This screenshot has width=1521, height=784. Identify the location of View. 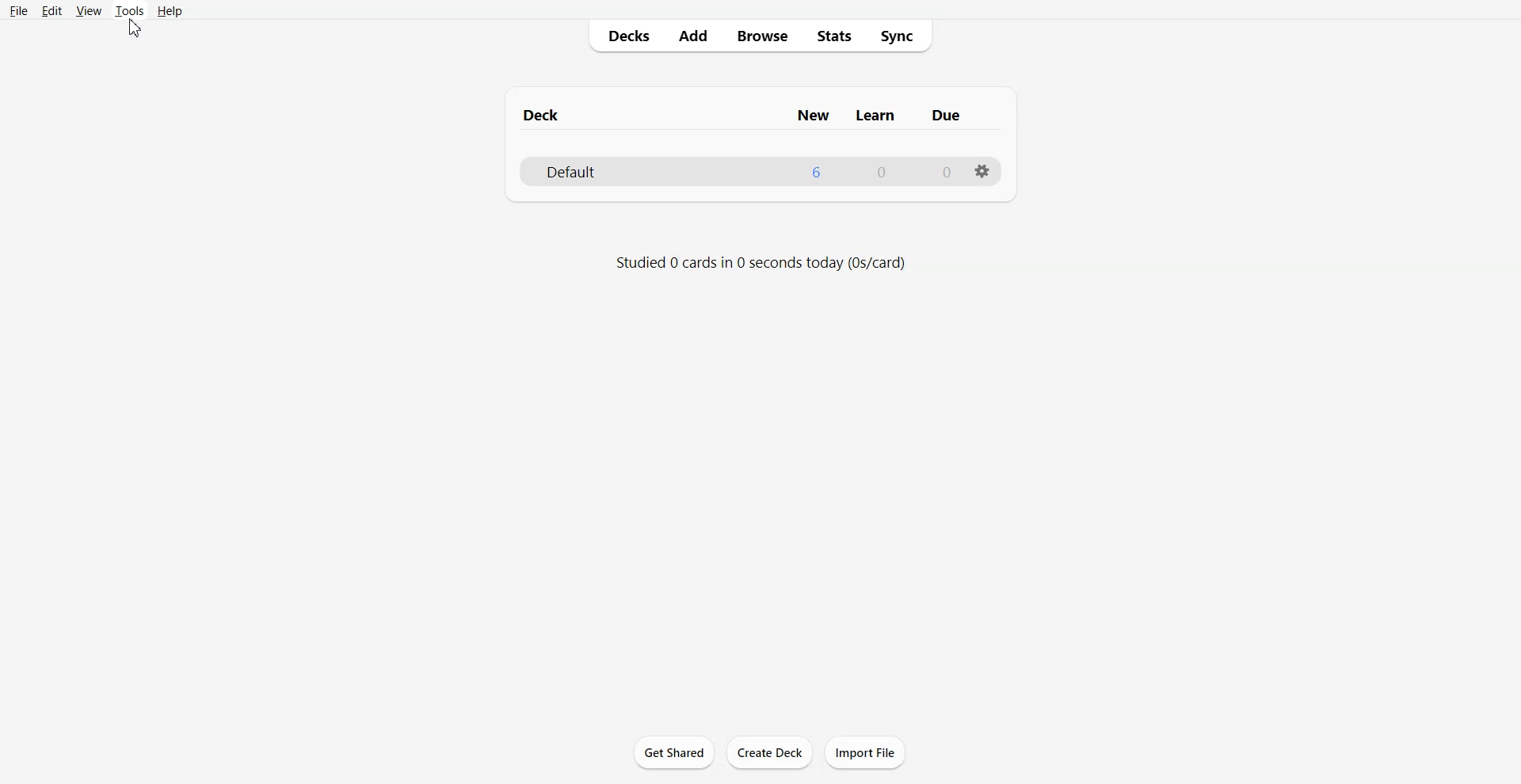
(89, 10).